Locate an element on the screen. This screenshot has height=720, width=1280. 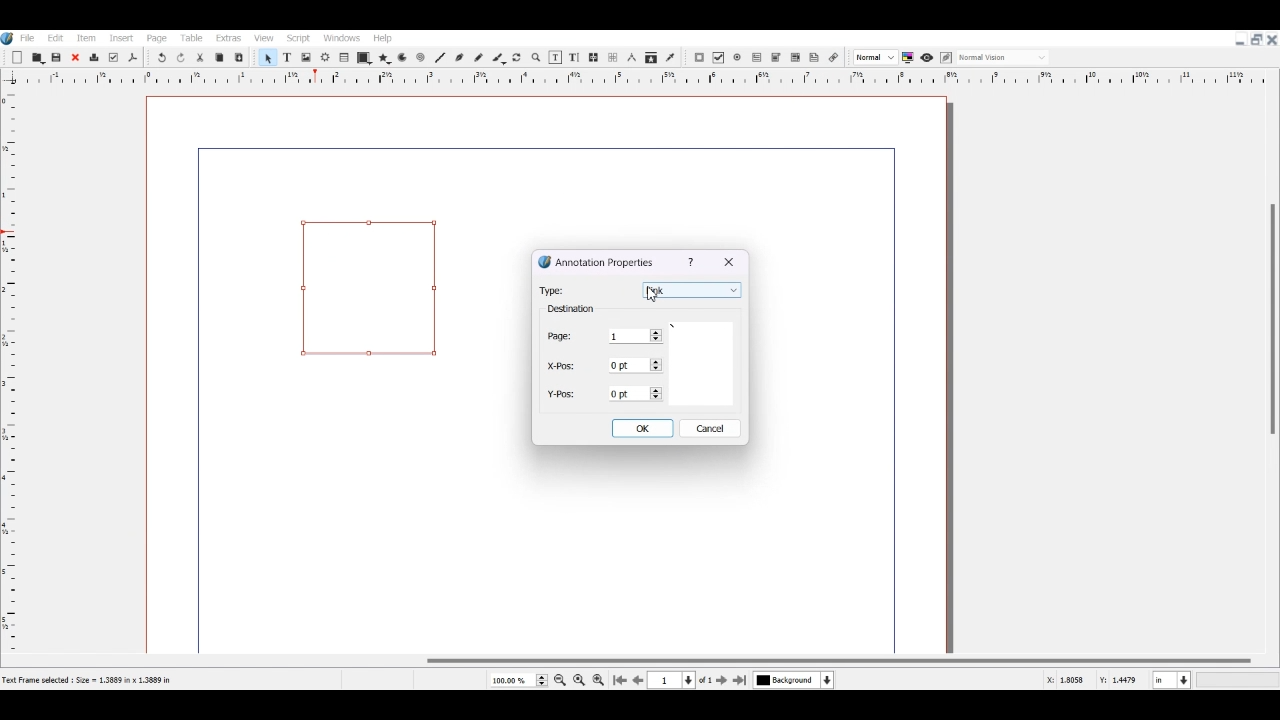
Measurement in Inche is located at coordinates (1172, 680).